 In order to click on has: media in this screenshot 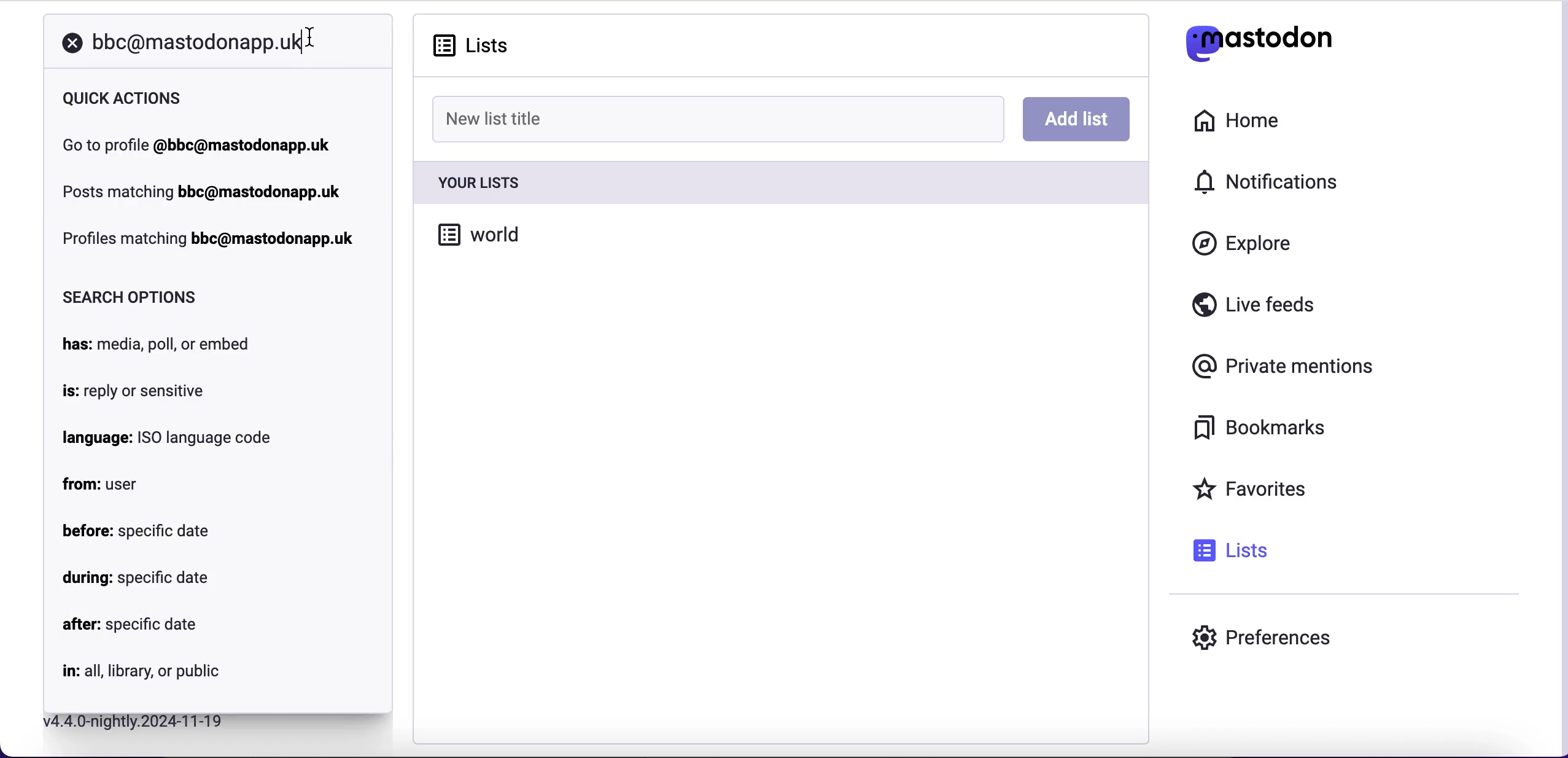, I will do `click(163, 345)`.